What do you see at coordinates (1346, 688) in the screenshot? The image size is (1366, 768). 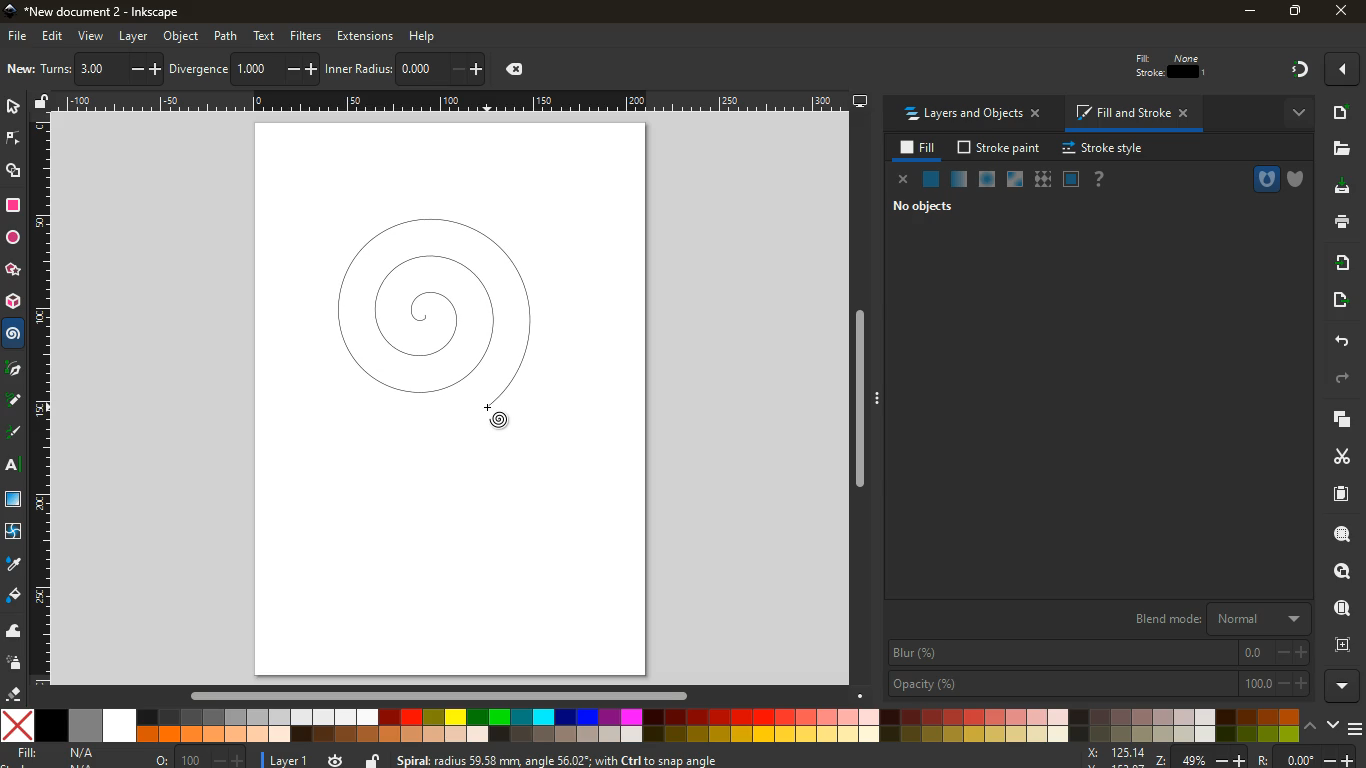 I see `` at bounding box center [1346, 688].